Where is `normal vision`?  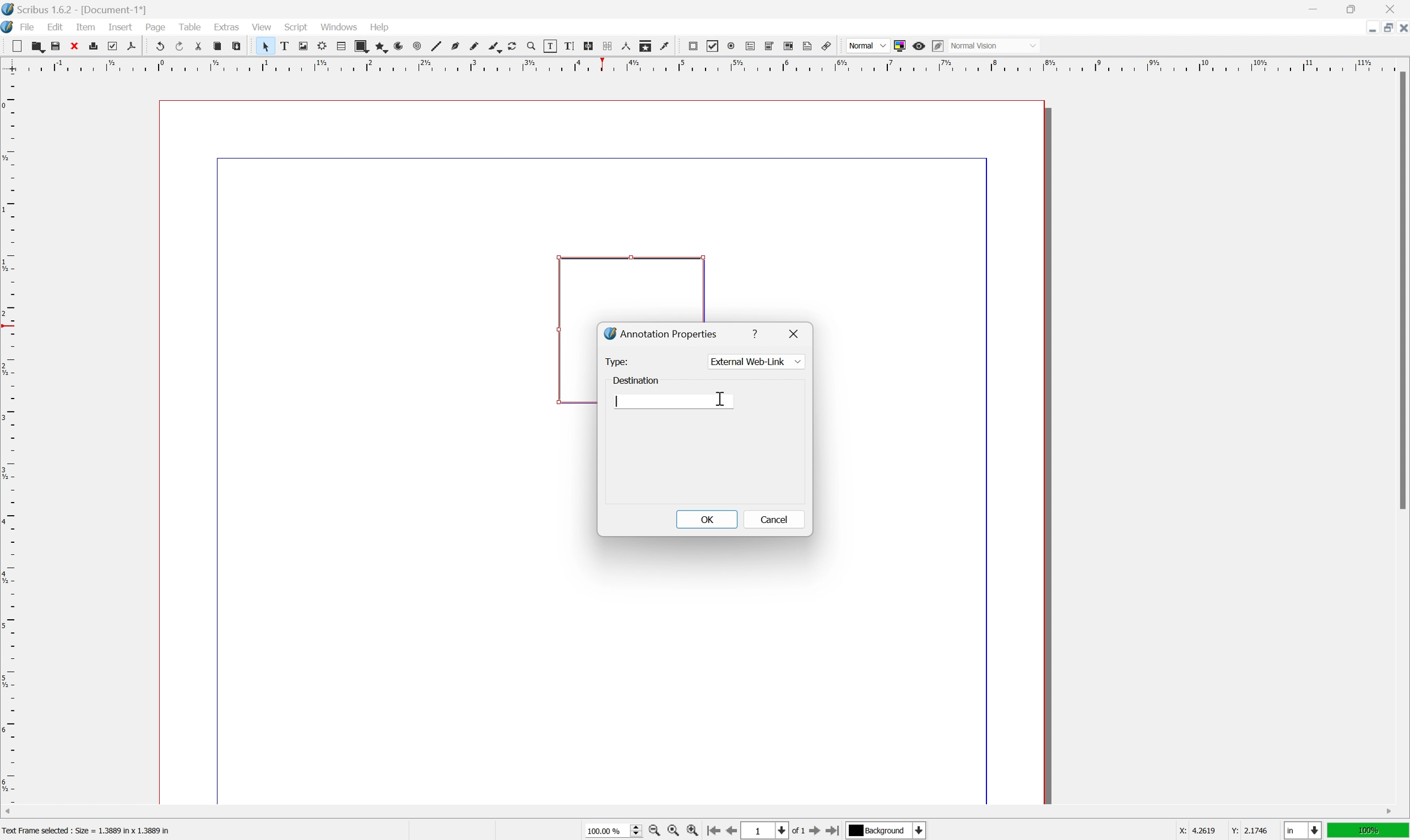
normal vision is located at coordinates (993, 45).